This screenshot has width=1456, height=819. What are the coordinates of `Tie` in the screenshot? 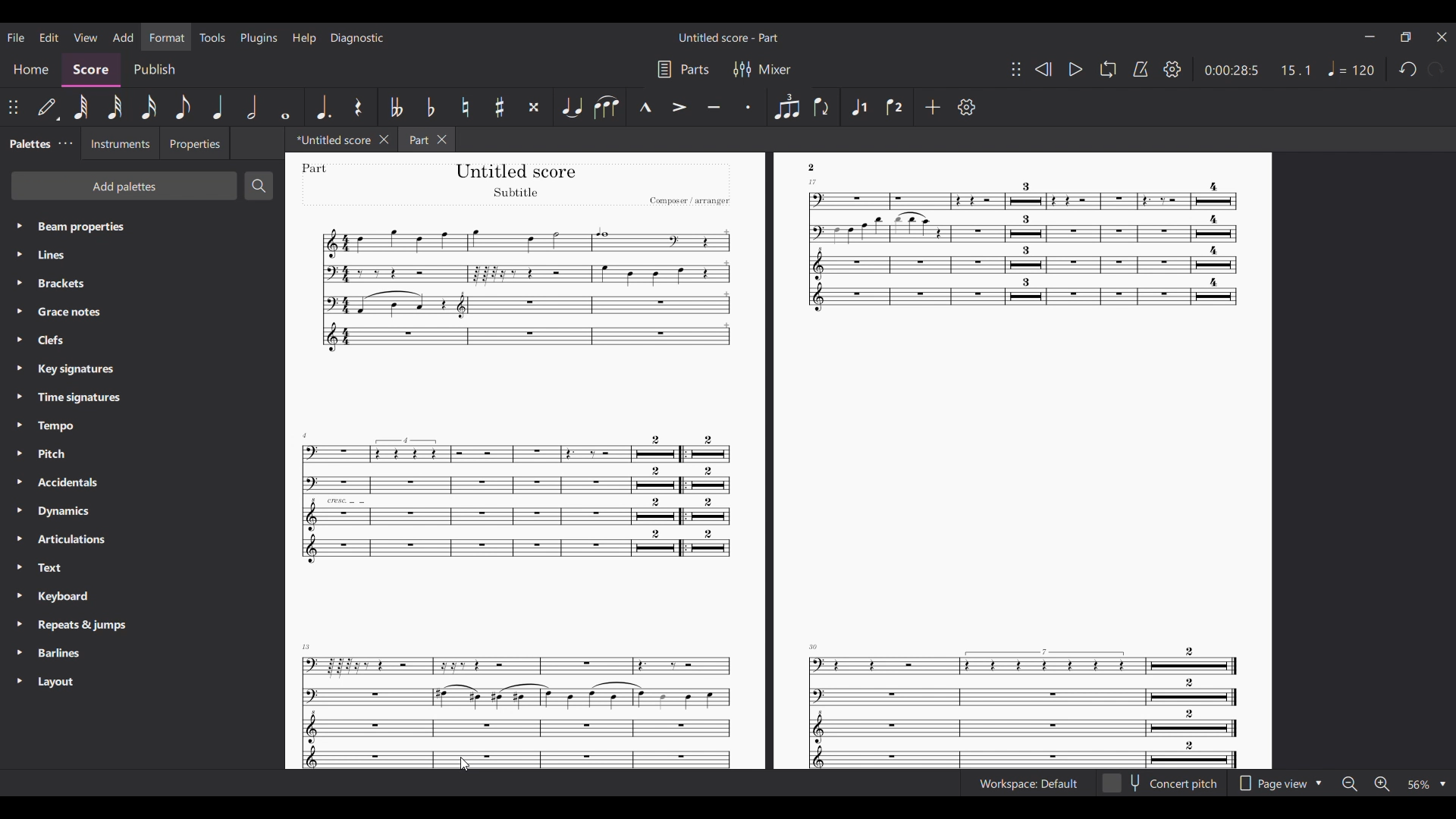 It's located at (573, 108).